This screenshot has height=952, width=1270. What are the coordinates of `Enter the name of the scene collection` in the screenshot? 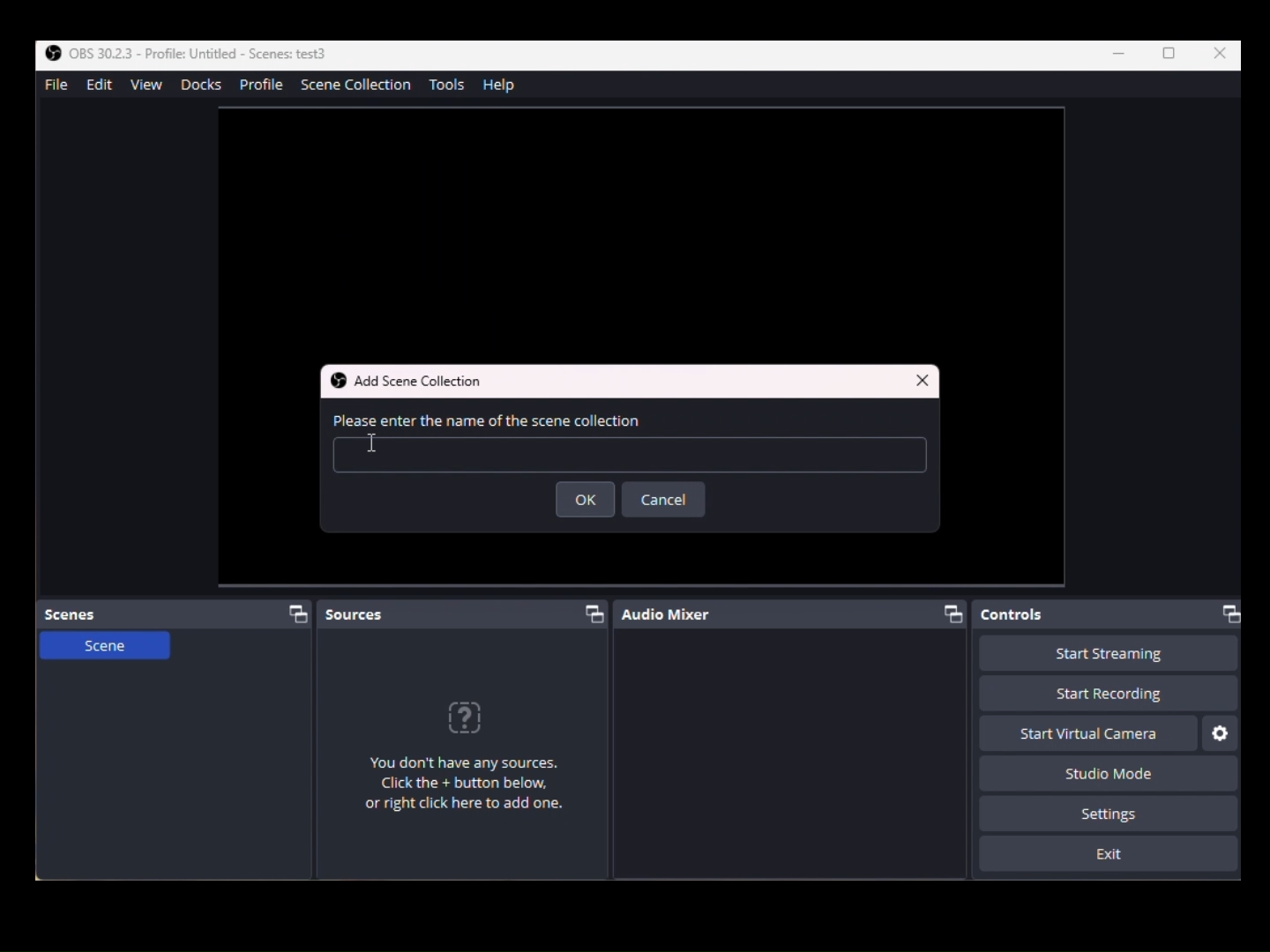 It's located at (632, 445).